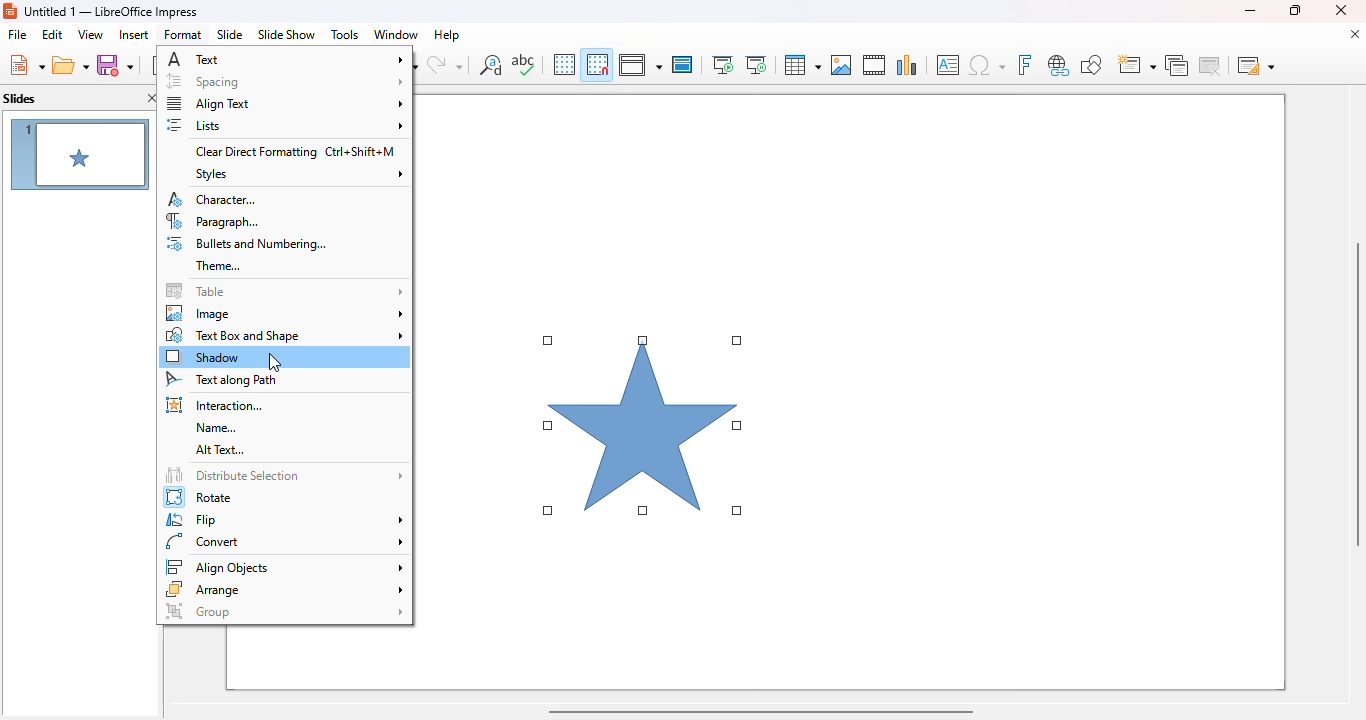 This screenshot has height=720, width=1366. What do you see at coordinates (215, 221) in the screenshot?
I see `paragraph` at bounding box center [215, 221].